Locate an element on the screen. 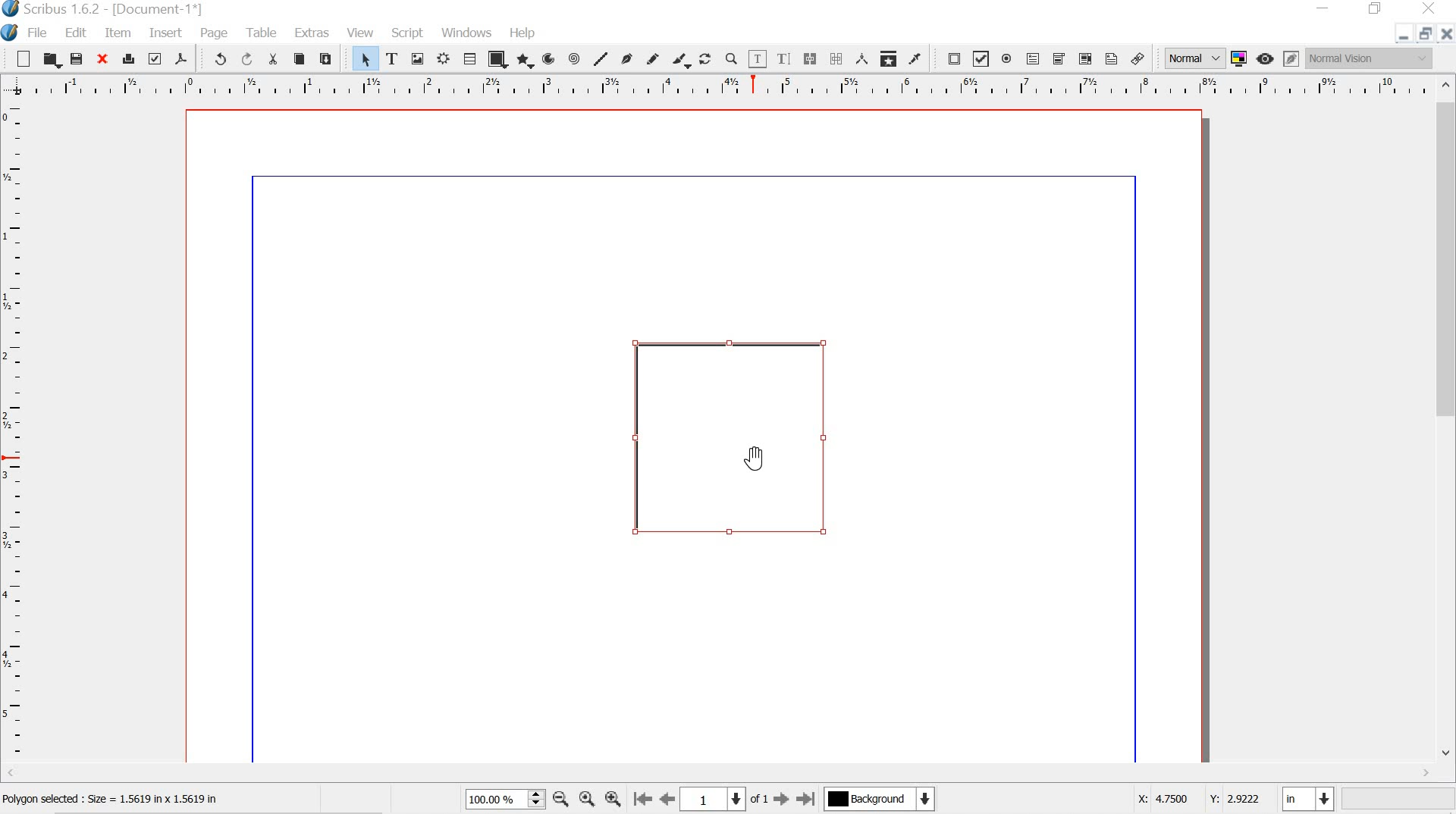 This screenshot has width=1456, height=814. ruler is located at coordinates (14, 433).